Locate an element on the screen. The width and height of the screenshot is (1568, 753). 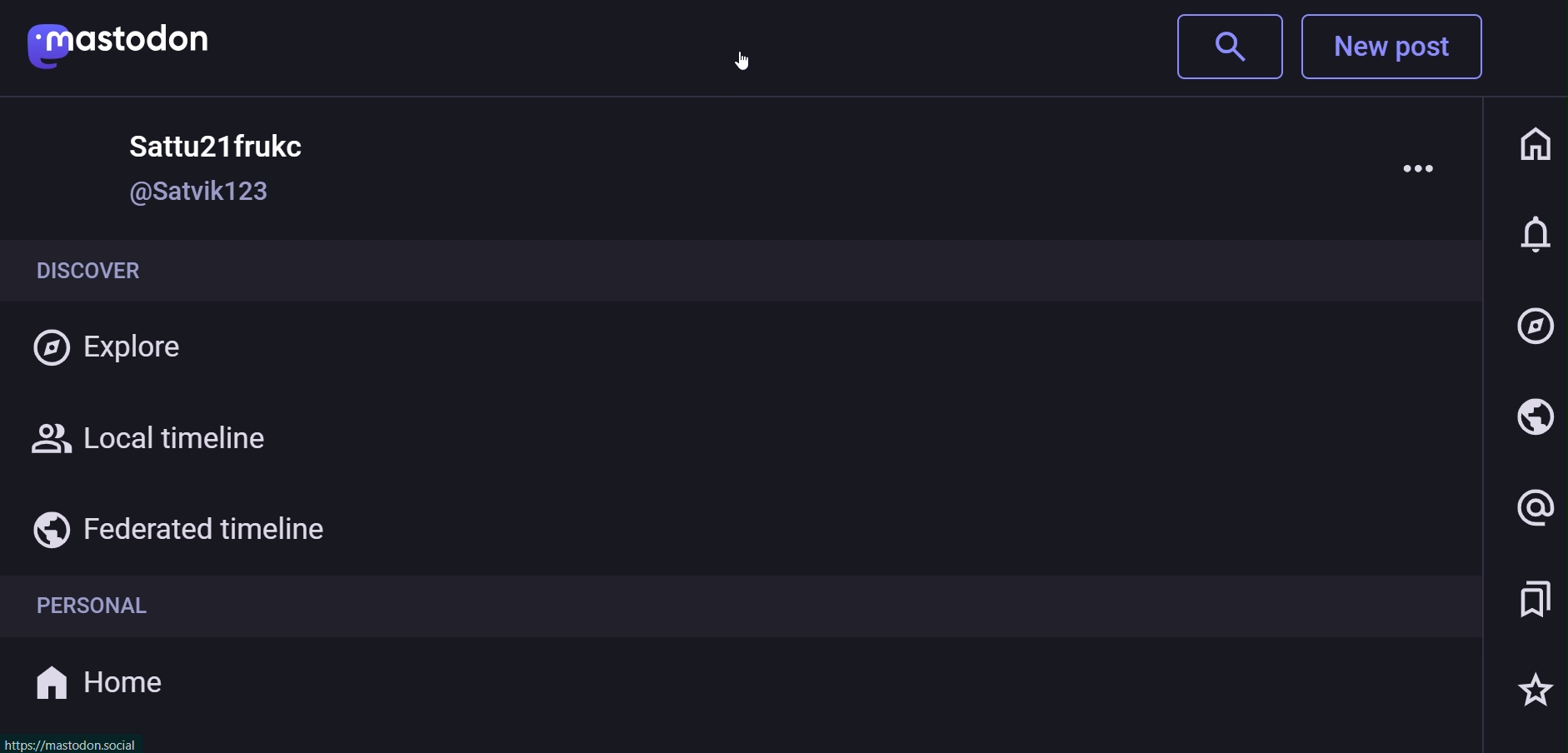
mastodon is located at coordinates (121, 40).